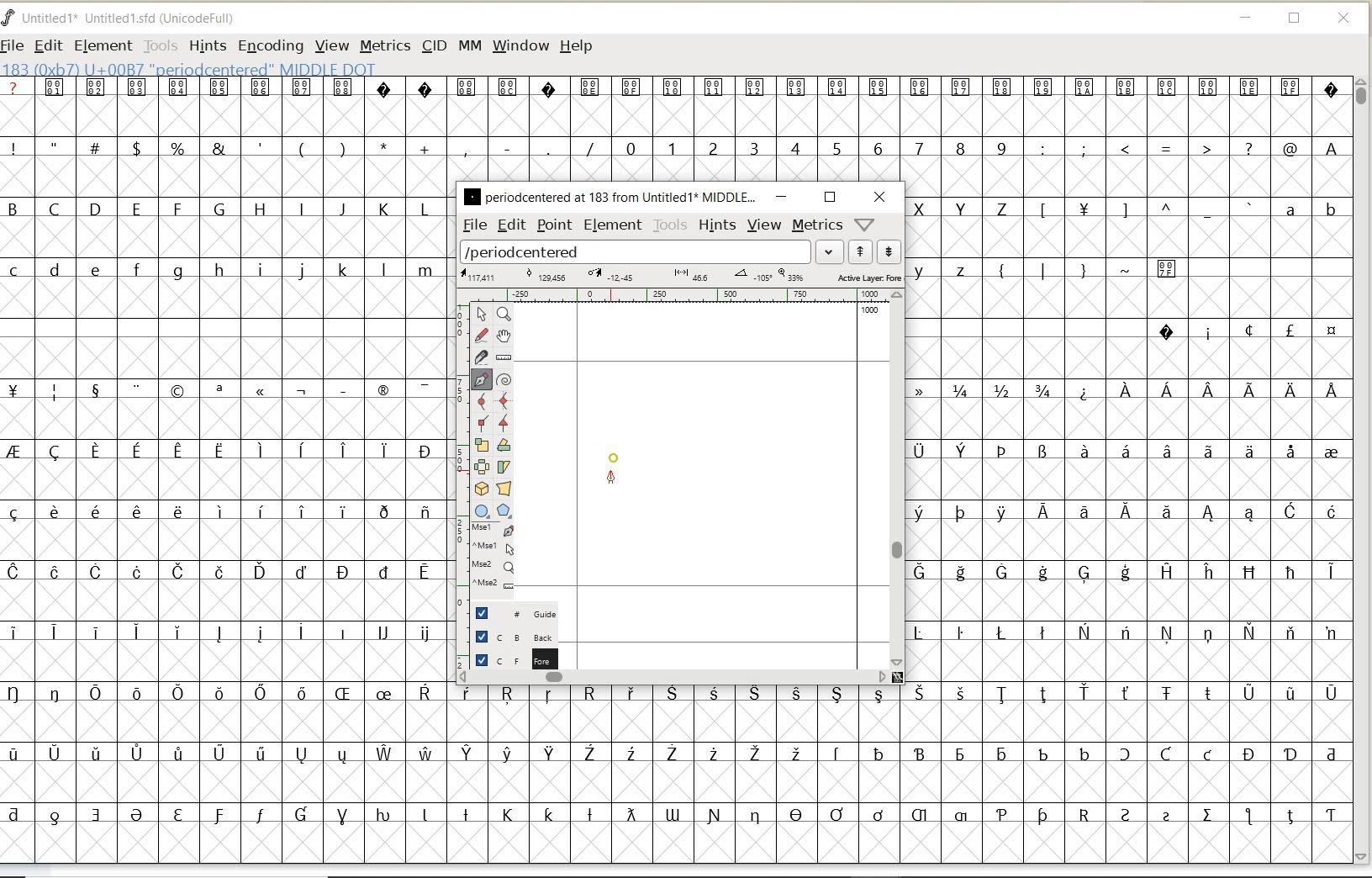  I want to click on EDIT, so click(48, 47).